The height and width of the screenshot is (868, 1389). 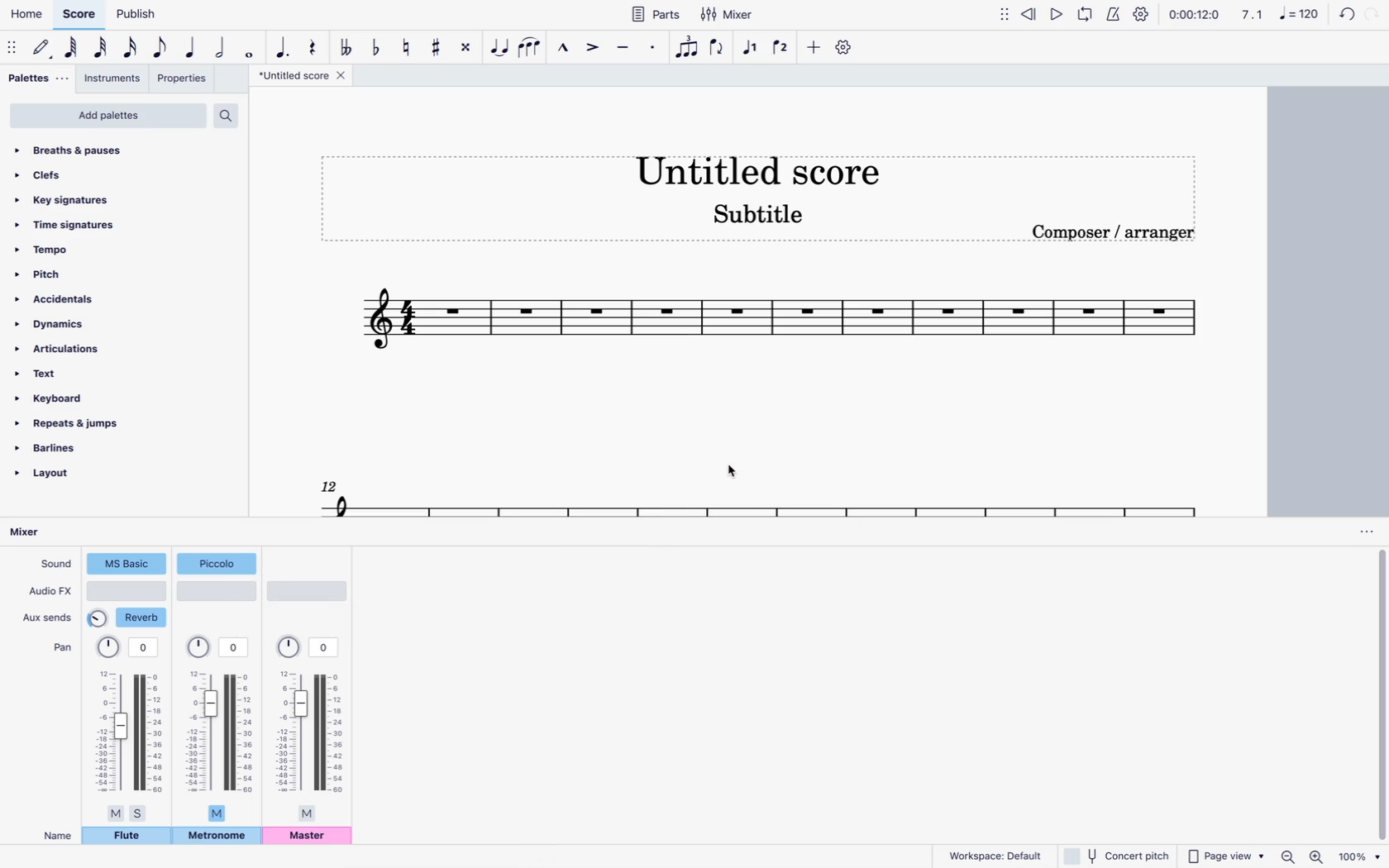 What do you see at coordinates (252, 50) in the screenshot?
I see `full note` at bounding box center [252, 50].